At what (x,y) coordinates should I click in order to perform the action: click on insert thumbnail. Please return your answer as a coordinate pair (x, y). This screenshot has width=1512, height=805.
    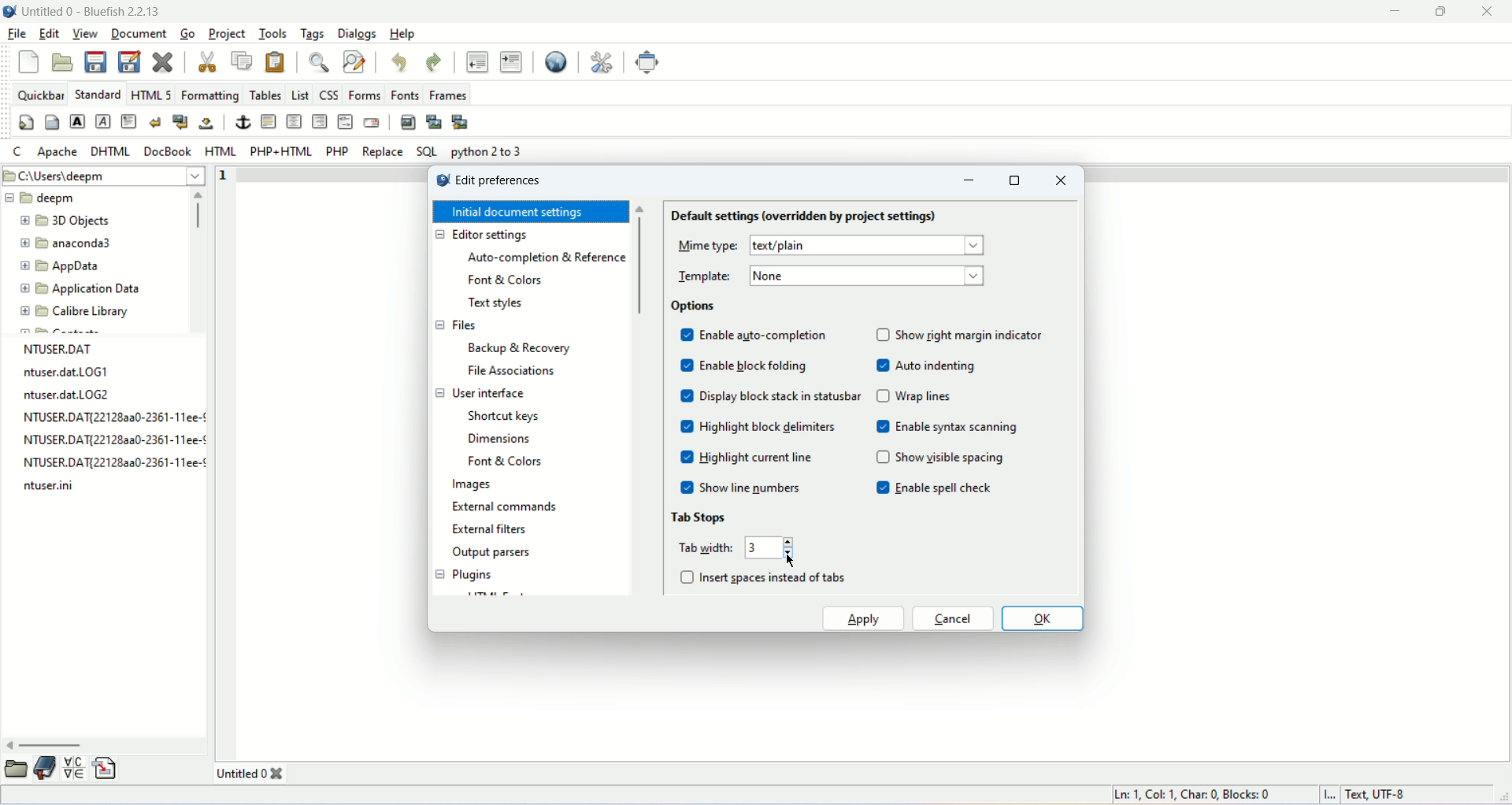
    Looking at the image, I should click on (432, 121).